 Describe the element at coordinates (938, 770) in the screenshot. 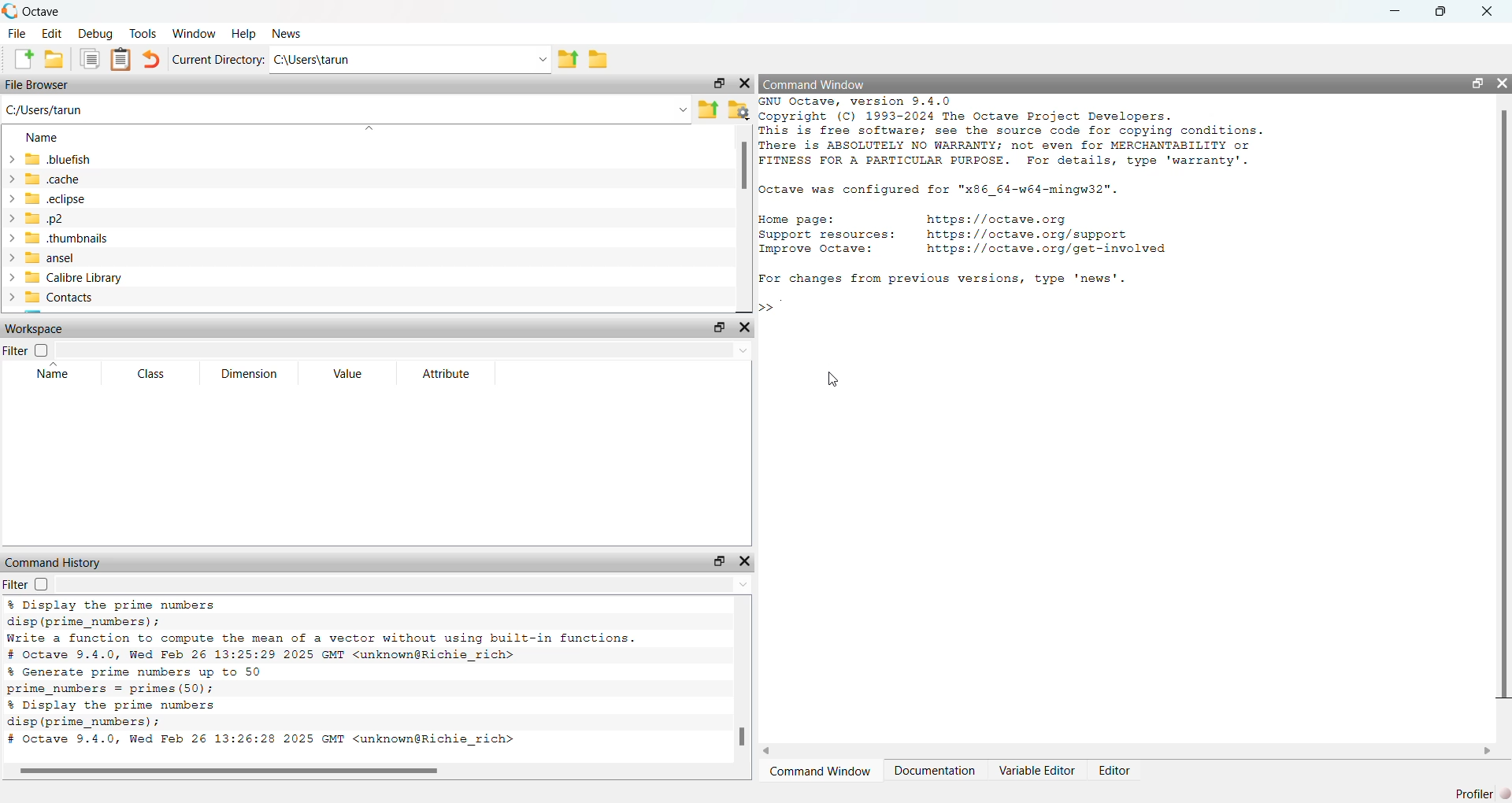

I see `Documentation` at that location.